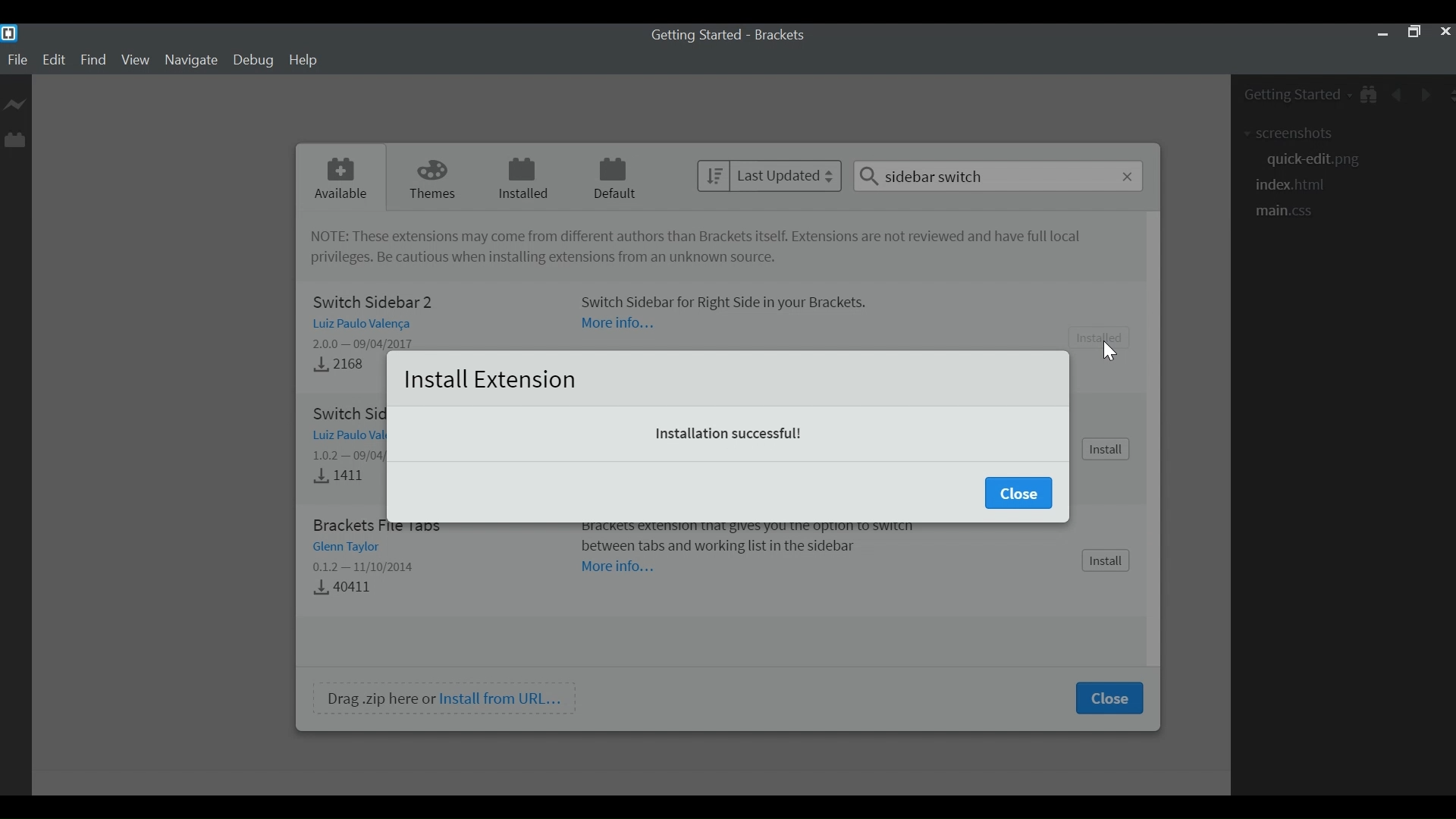 This screenshot has width=1456, height=819. What do you see at coordinates (1445, 32) in the screenshot?
I see `Close` at bounding box center [1445, 32].